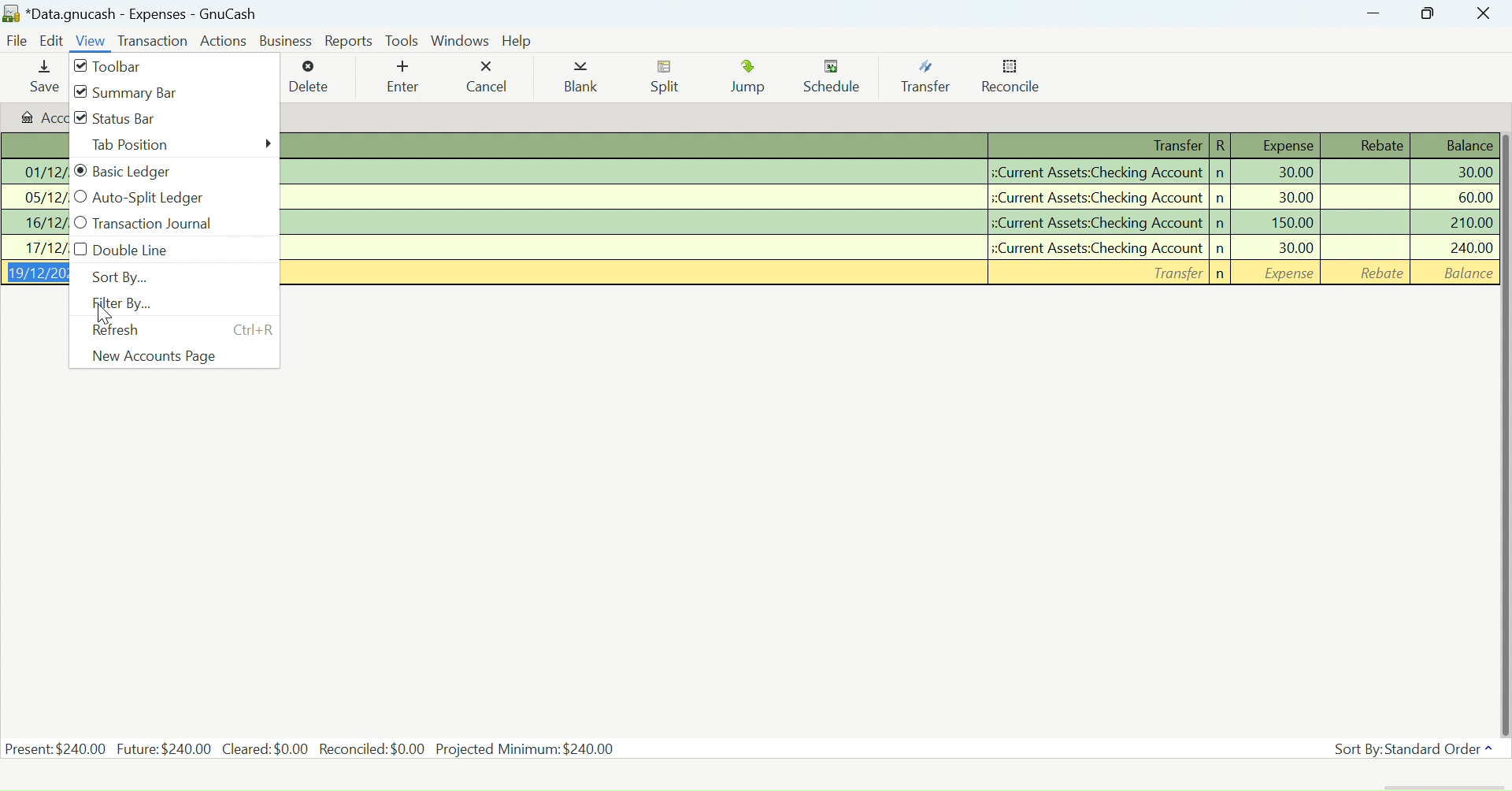  I want to click on Jump, so click(751, 80).